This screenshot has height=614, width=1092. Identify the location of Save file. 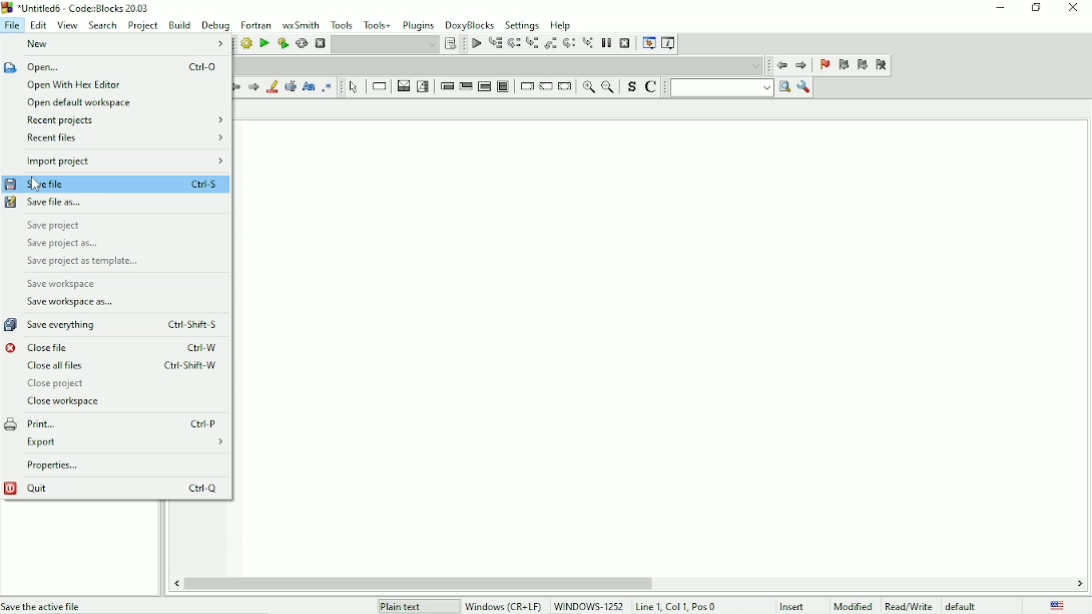
(118, 183).